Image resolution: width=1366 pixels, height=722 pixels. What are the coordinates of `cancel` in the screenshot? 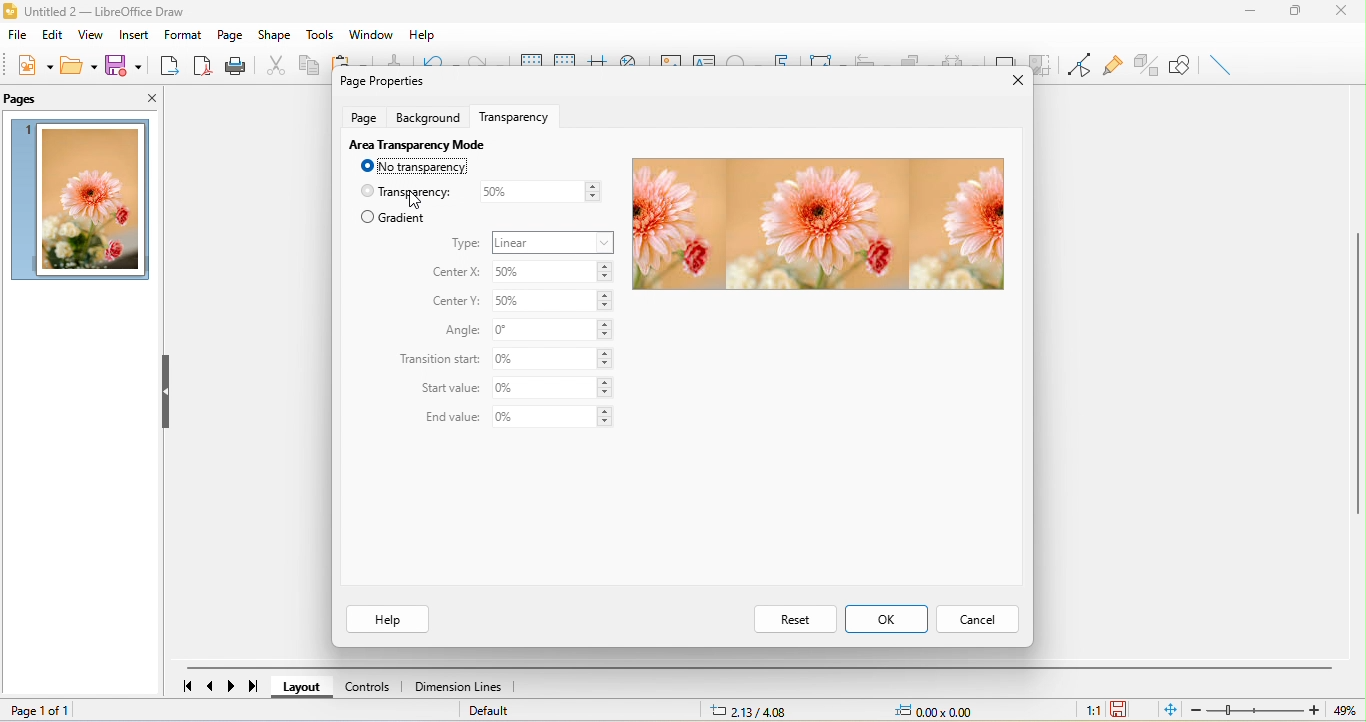 It's located at (976, 621).